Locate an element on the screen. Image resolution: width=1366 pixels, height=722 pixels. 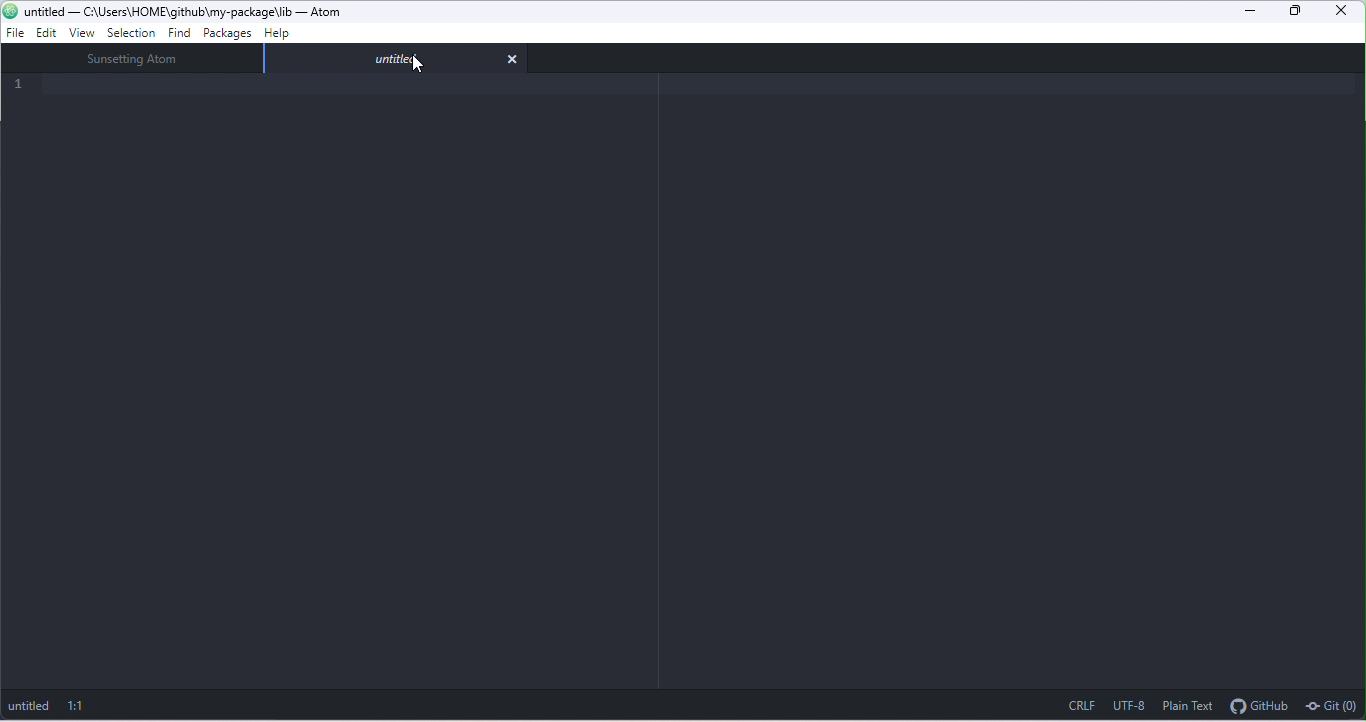
view is located at coordinates (85, 33).